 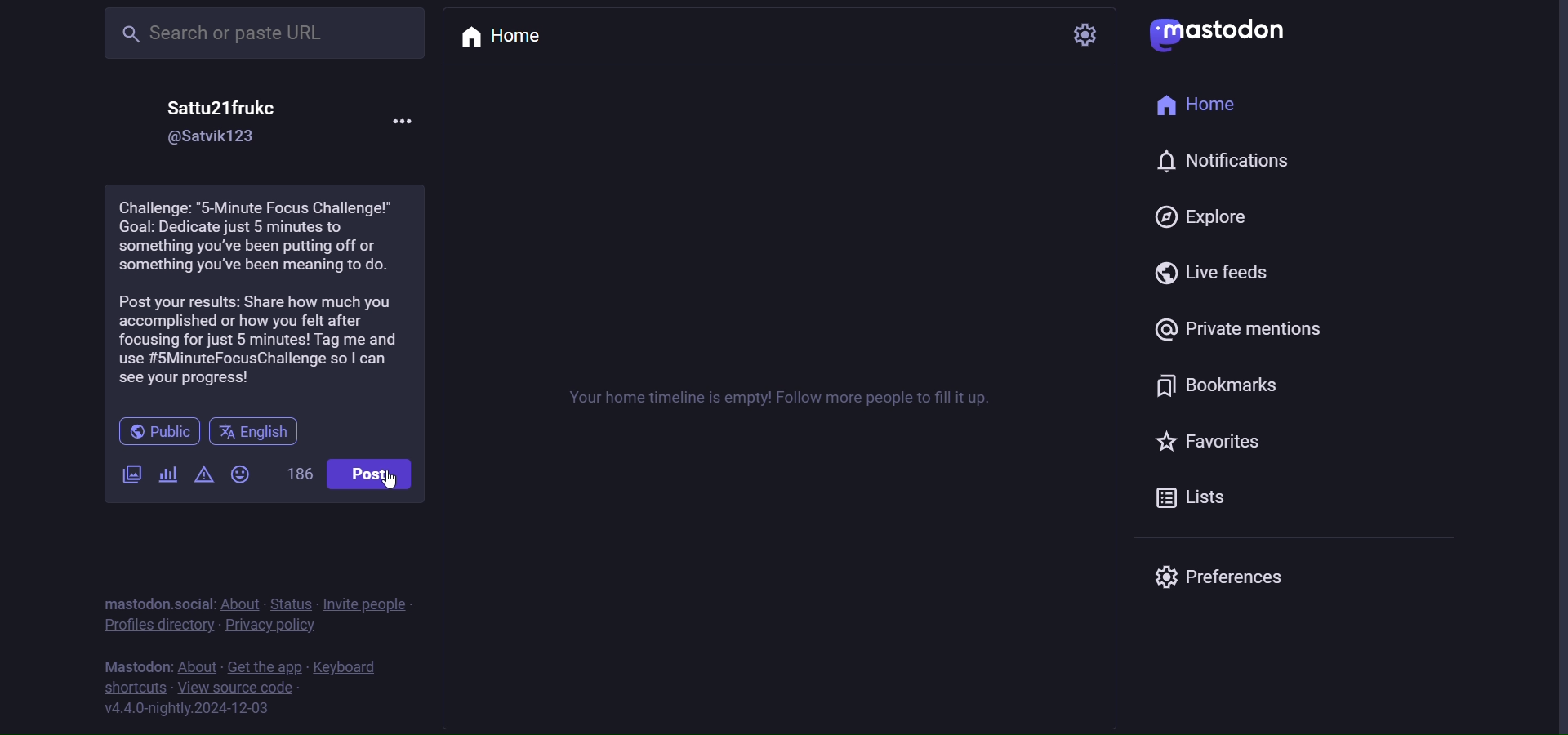 I want to click on about, so click(x=201, y=666).